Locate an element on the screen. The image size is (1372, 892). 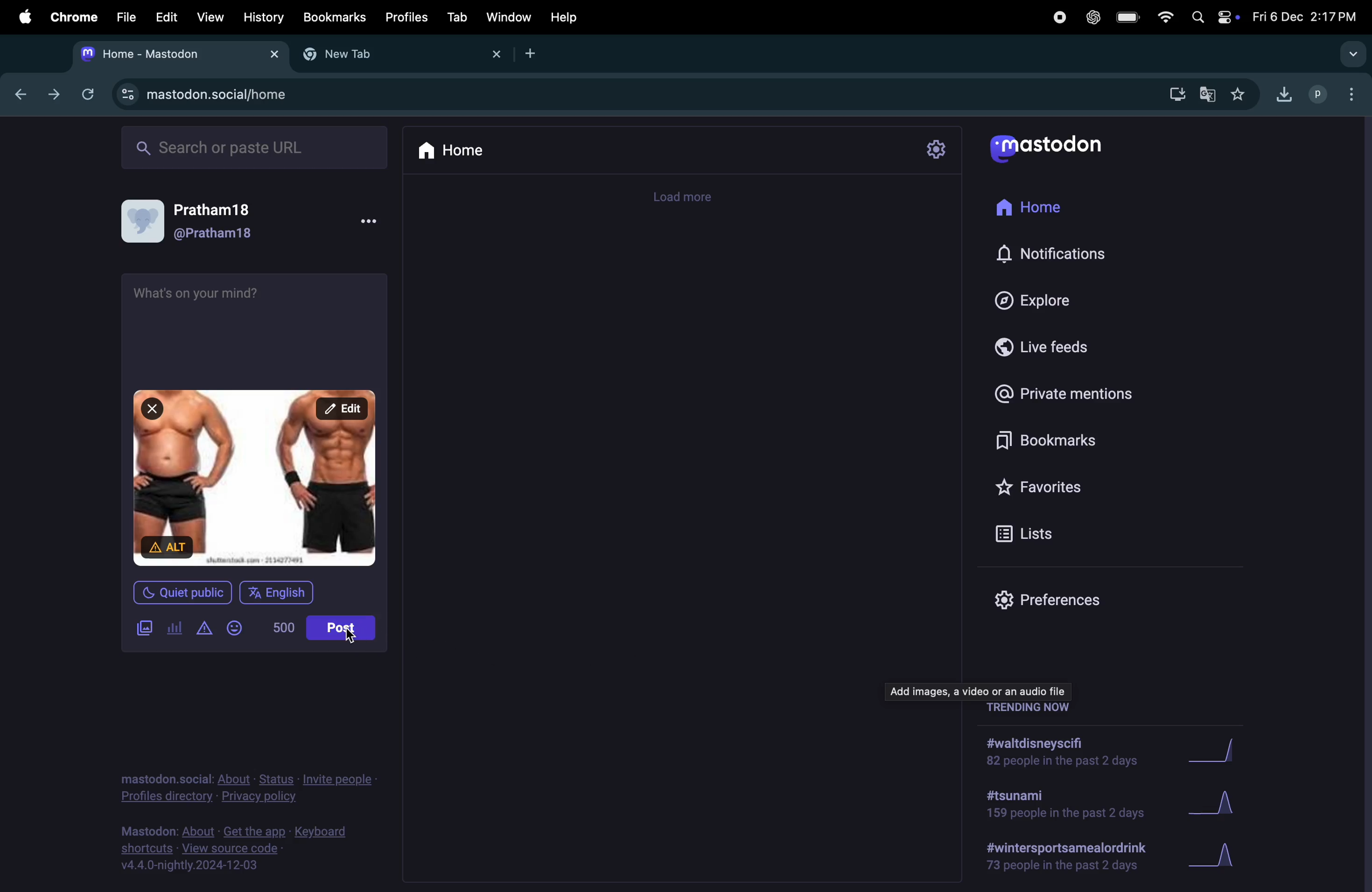
create alert is located at coordinates (205, 629).